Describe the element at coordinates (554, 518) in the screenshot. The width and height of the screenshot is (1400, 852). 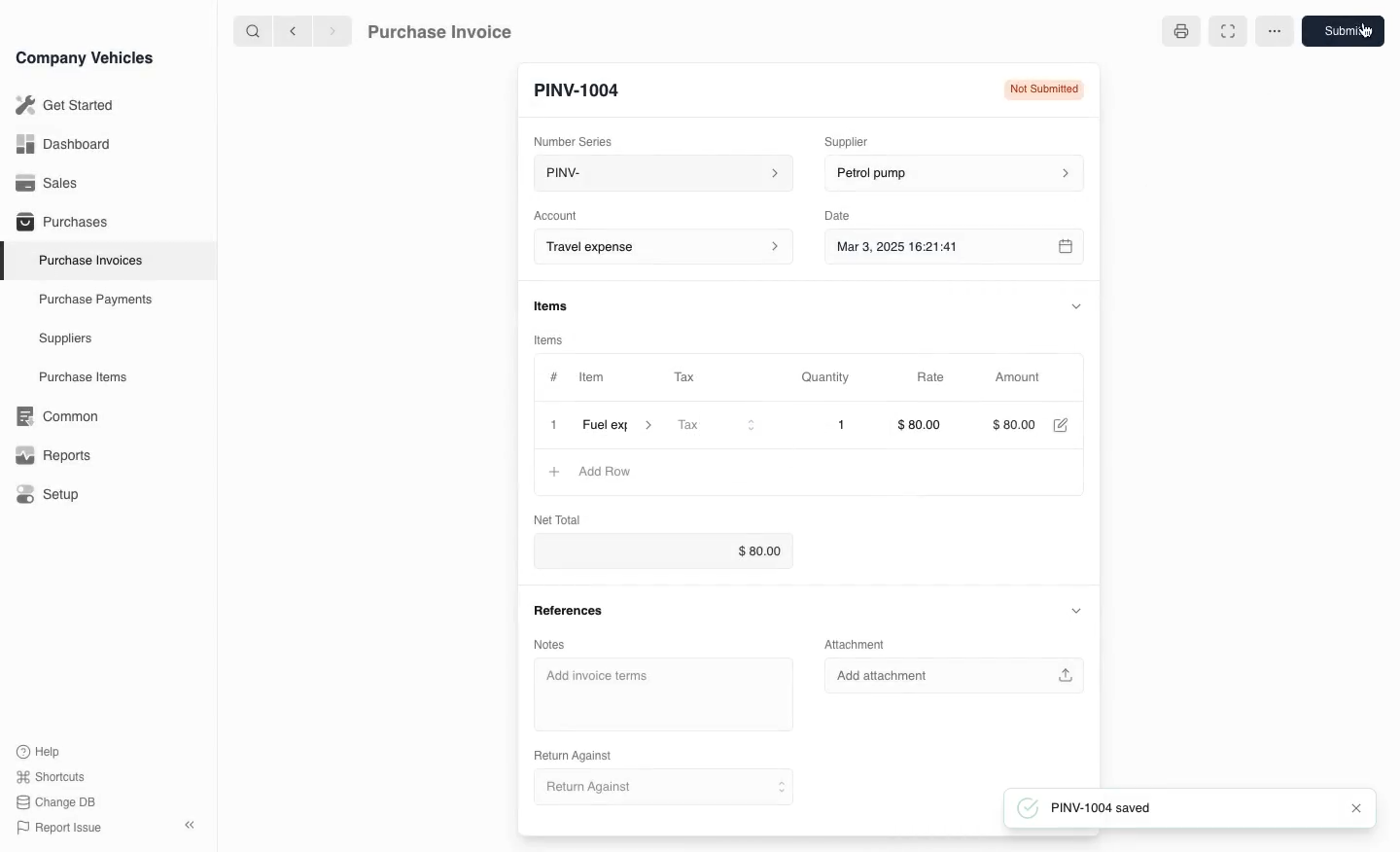
I see `Net Total` at that location.